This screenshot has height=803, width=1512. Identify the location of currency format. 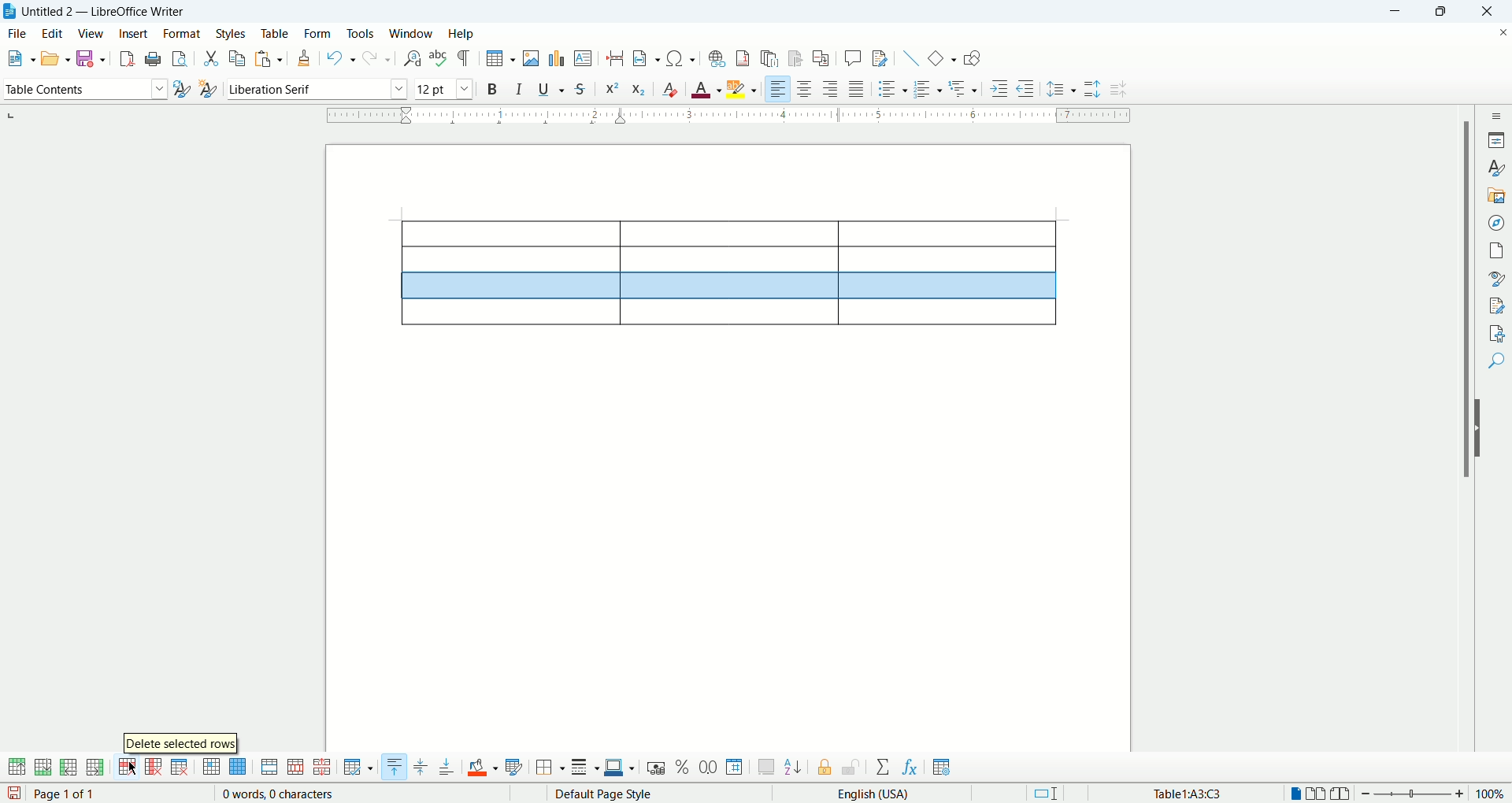
(657, 770).